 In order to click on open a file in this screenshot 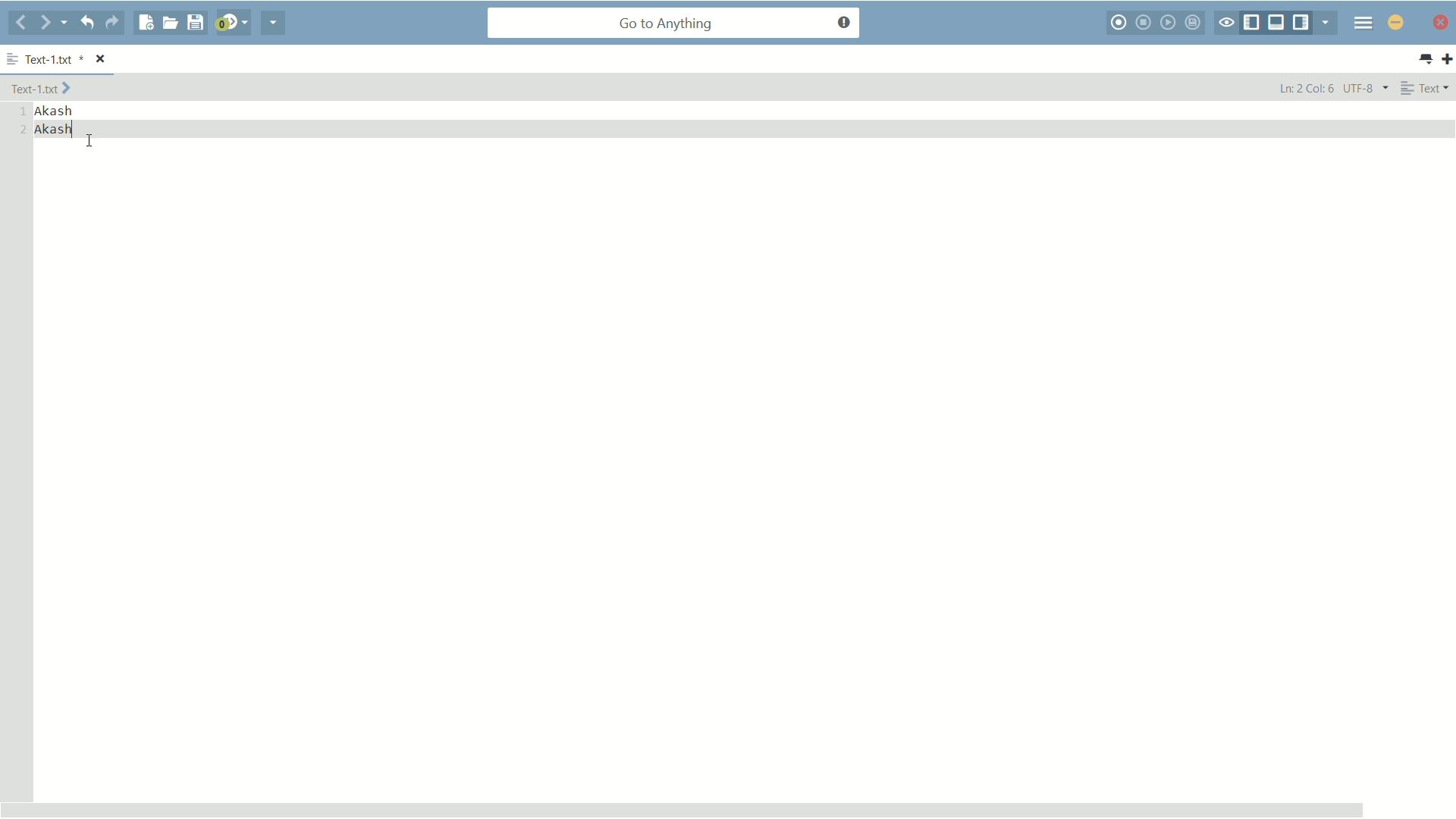, I will do `click(170, 24)`.